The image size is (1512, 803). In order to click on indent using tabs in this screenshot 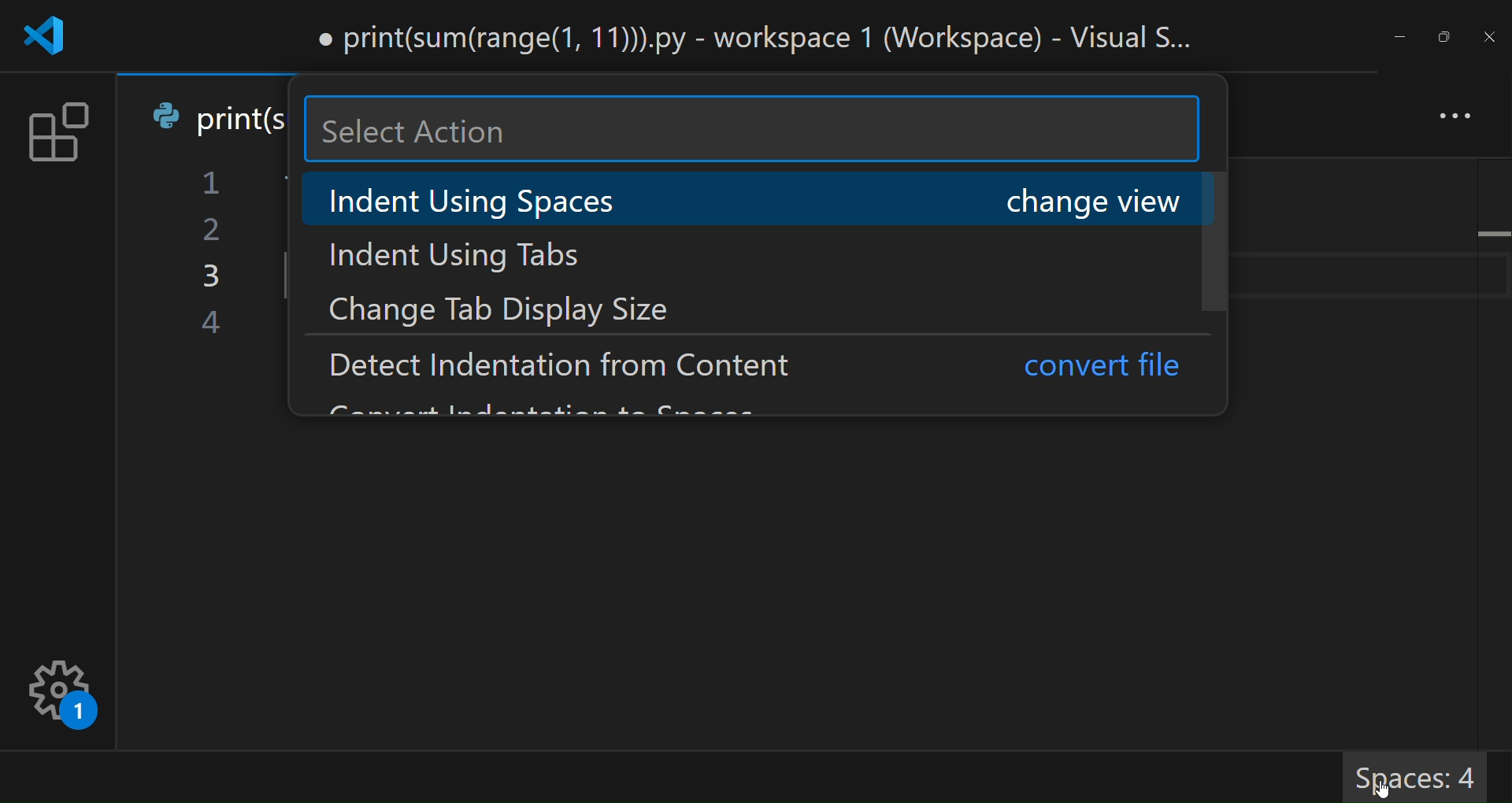, I will do `click(469, 255)`.